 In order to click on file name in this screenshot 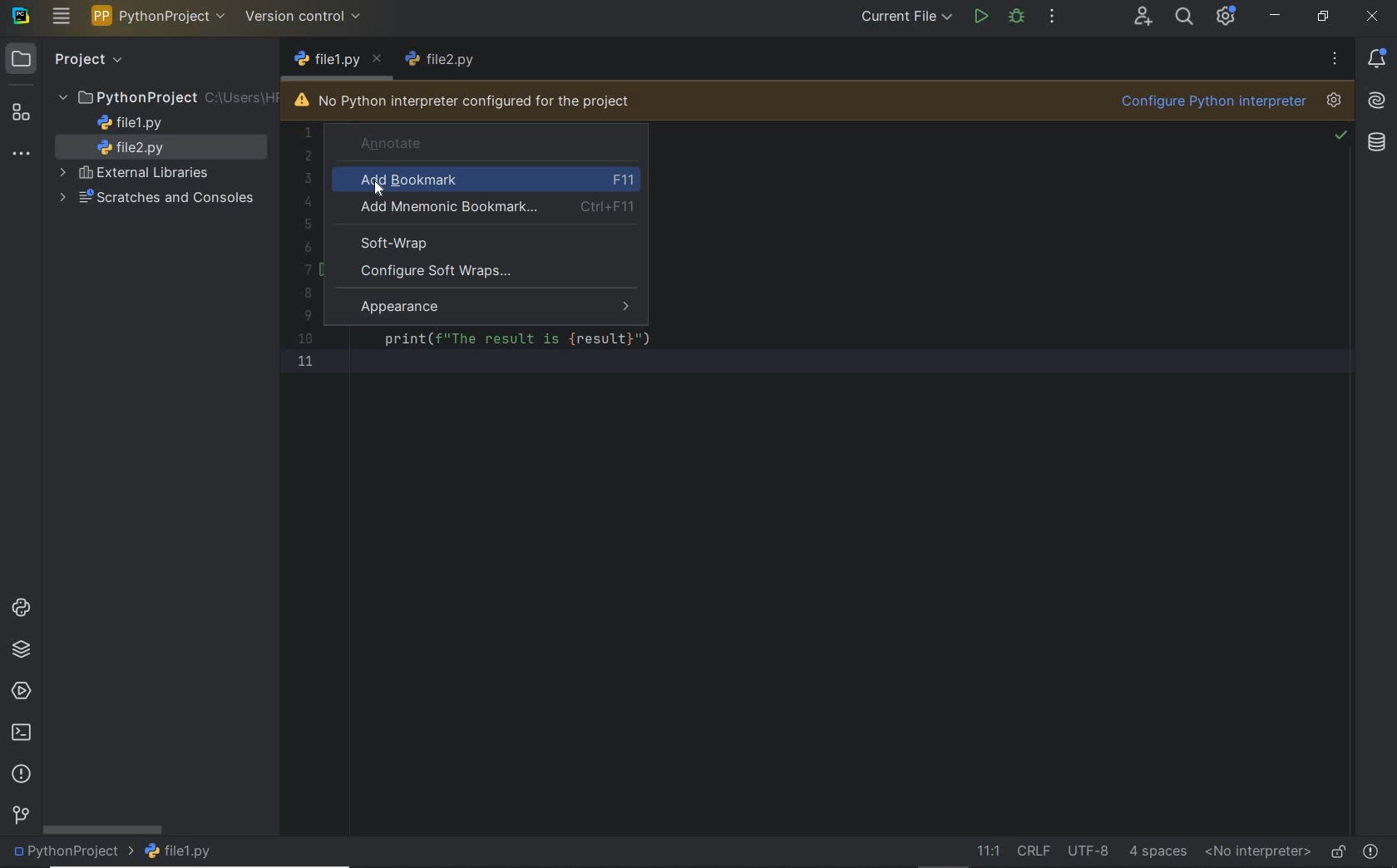, I will do `click(339, 62)`.